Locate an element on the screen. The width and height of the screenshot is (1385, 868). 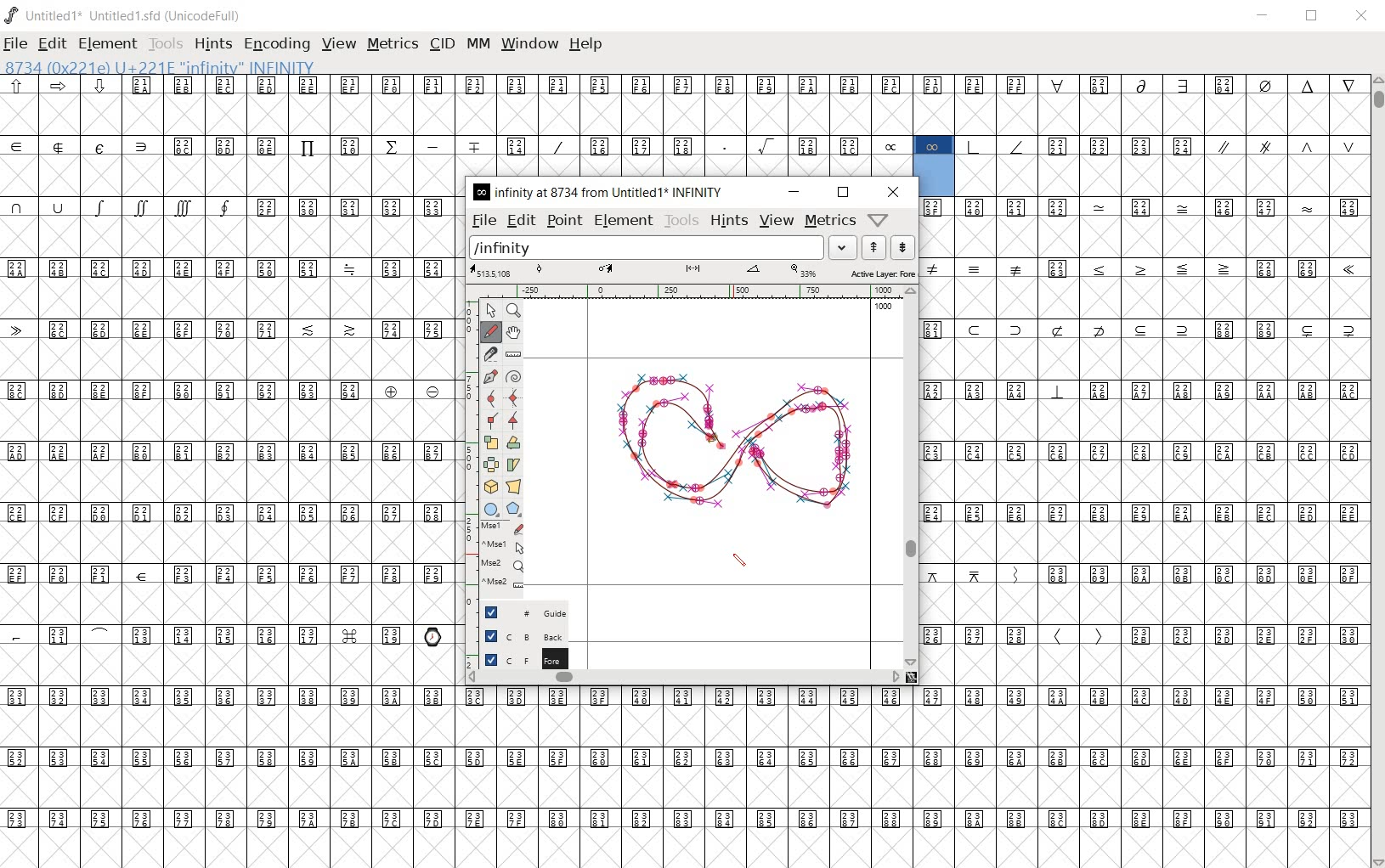
symbol is located at coordinates (1309, 206).